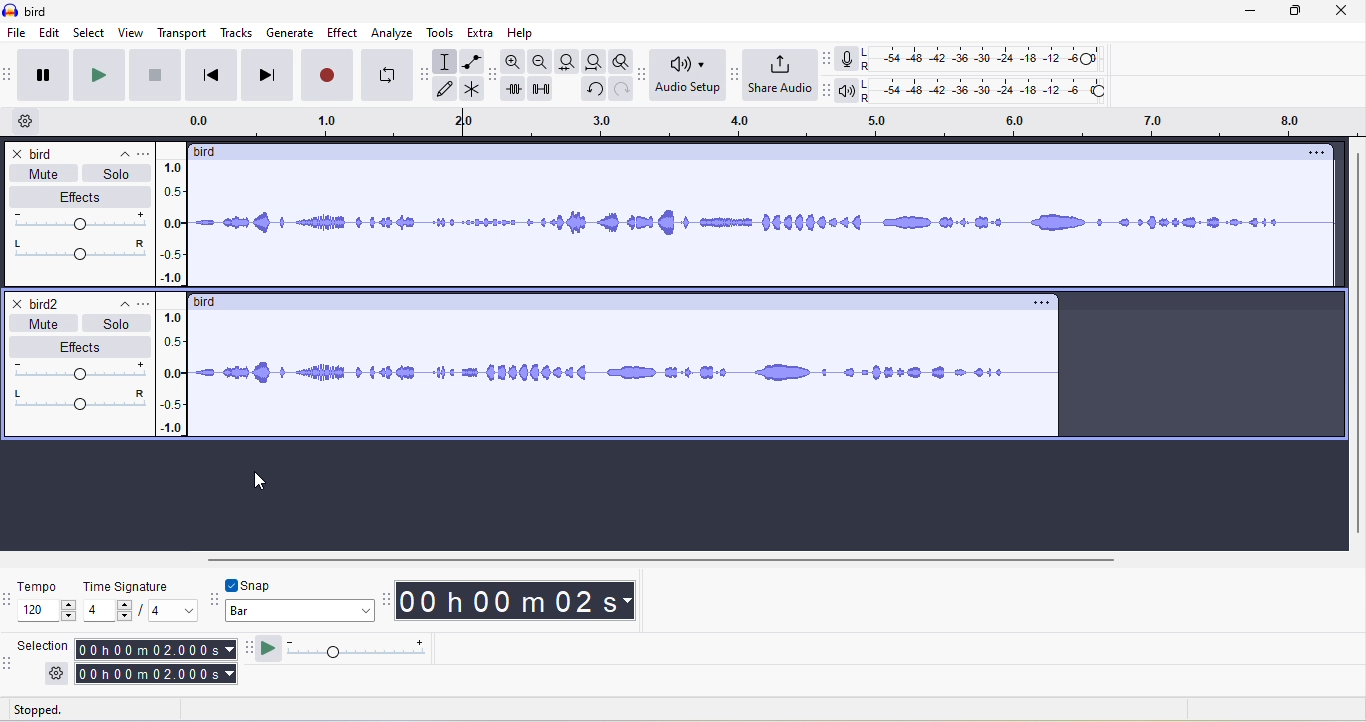 The height and width of the screenshot is (722, 1366). What do you see at coordinates (45, 659) in the screenshot?
I see `selection` at bounding box center [45, 659].